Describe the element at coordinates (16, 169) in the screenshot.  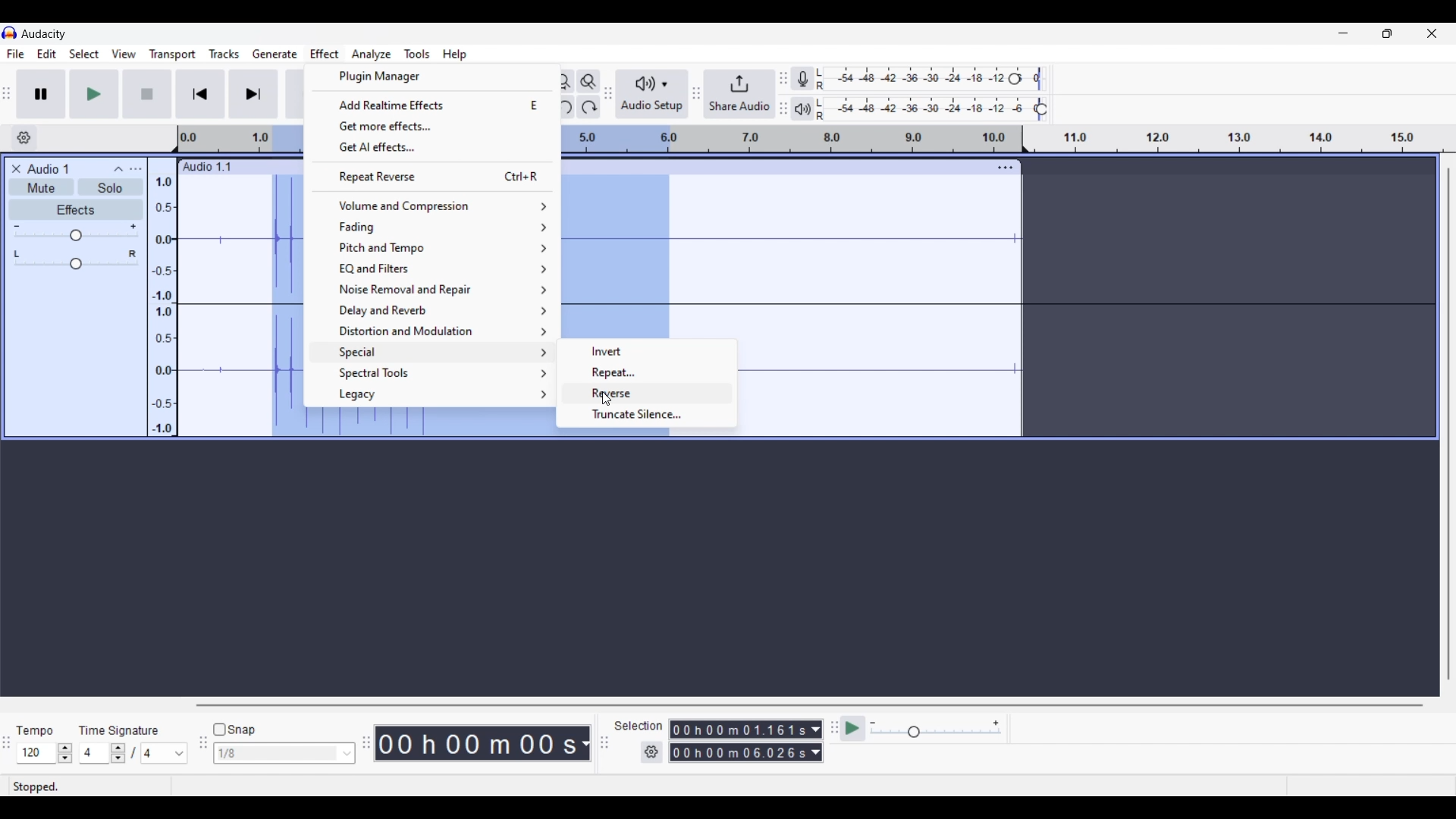
I see `Close` at that location.